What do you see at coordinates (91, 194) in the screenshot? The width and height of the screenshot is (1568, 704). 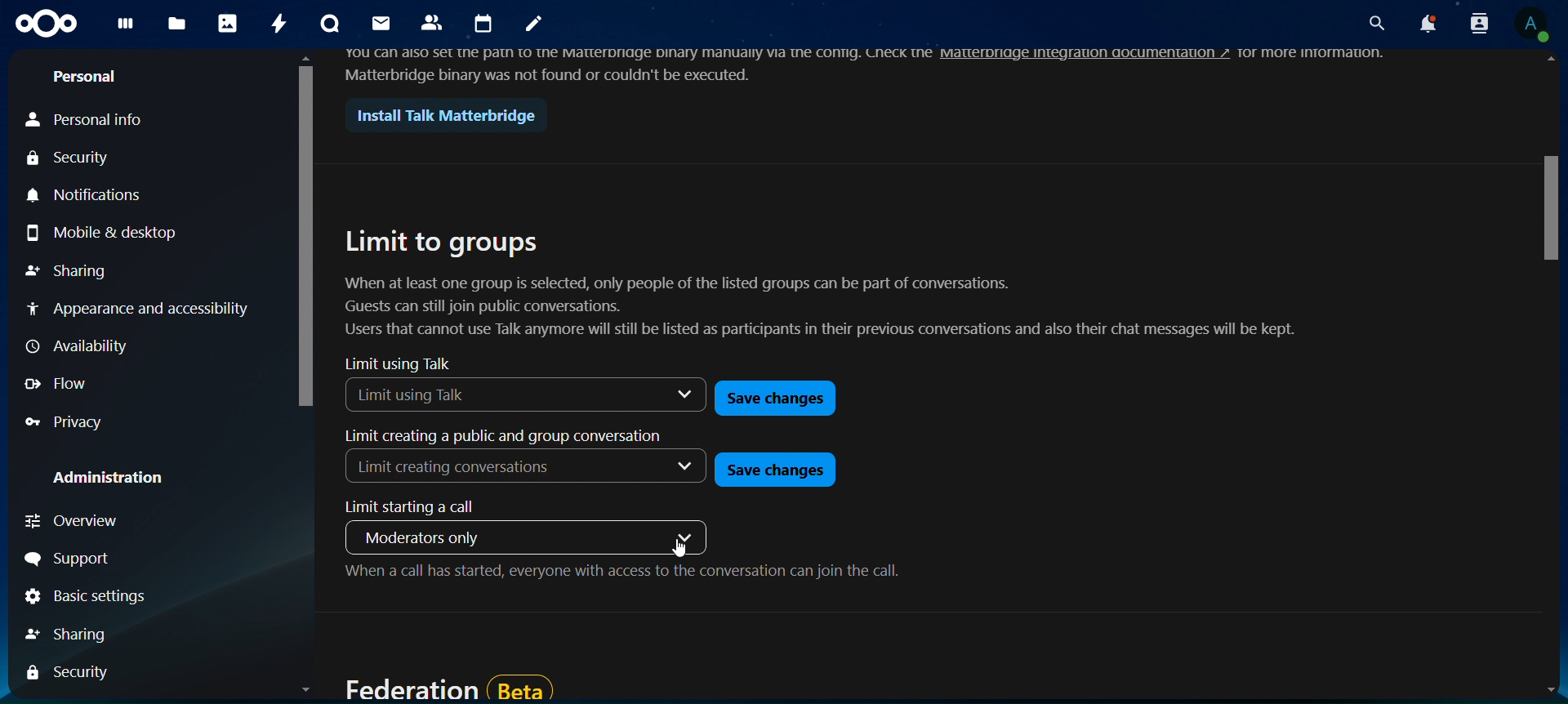 I see `notifications` at bounding box center [91, 194].